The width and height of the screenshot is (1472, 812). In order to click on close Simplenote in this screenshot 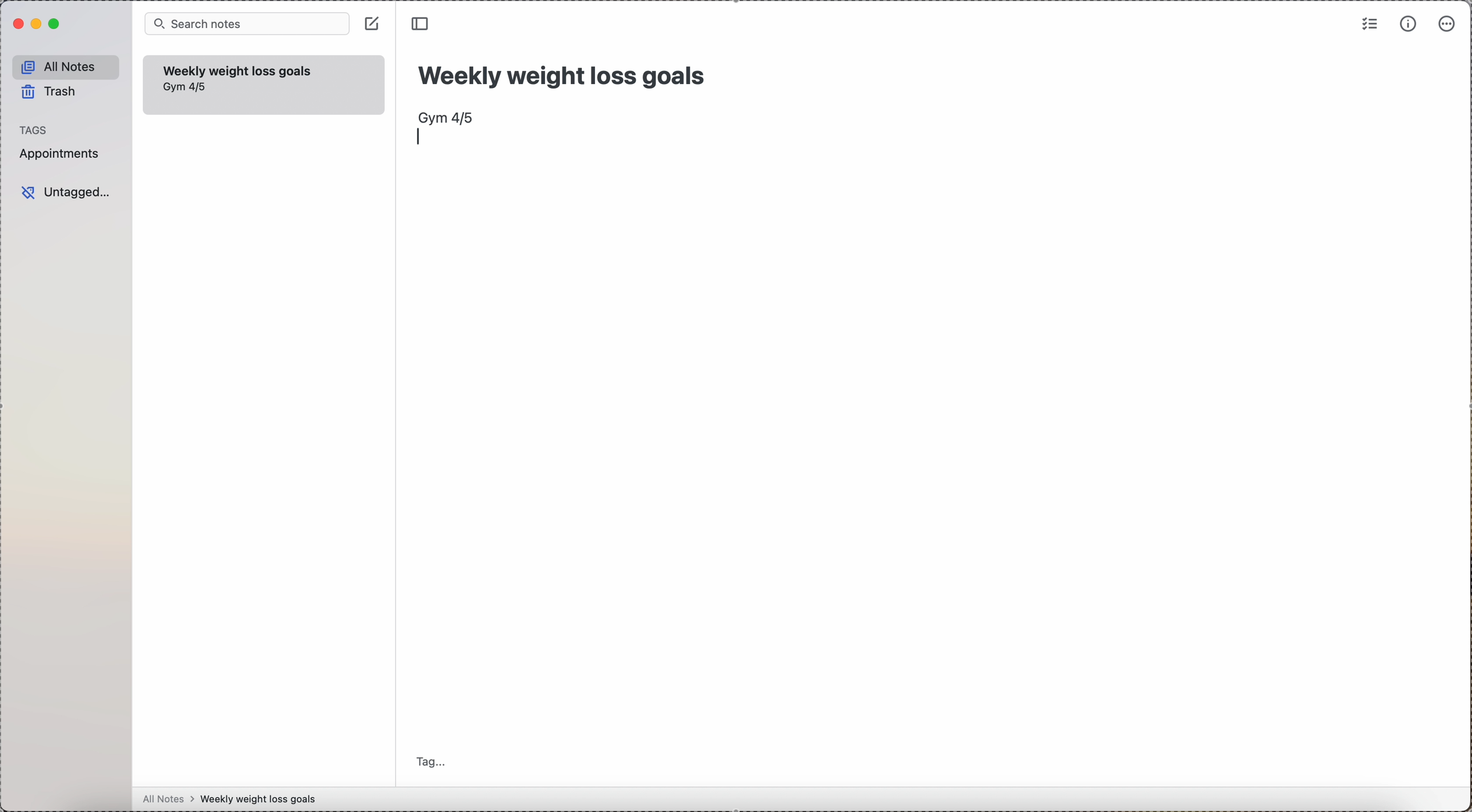, I will do `click(18, 23)`.